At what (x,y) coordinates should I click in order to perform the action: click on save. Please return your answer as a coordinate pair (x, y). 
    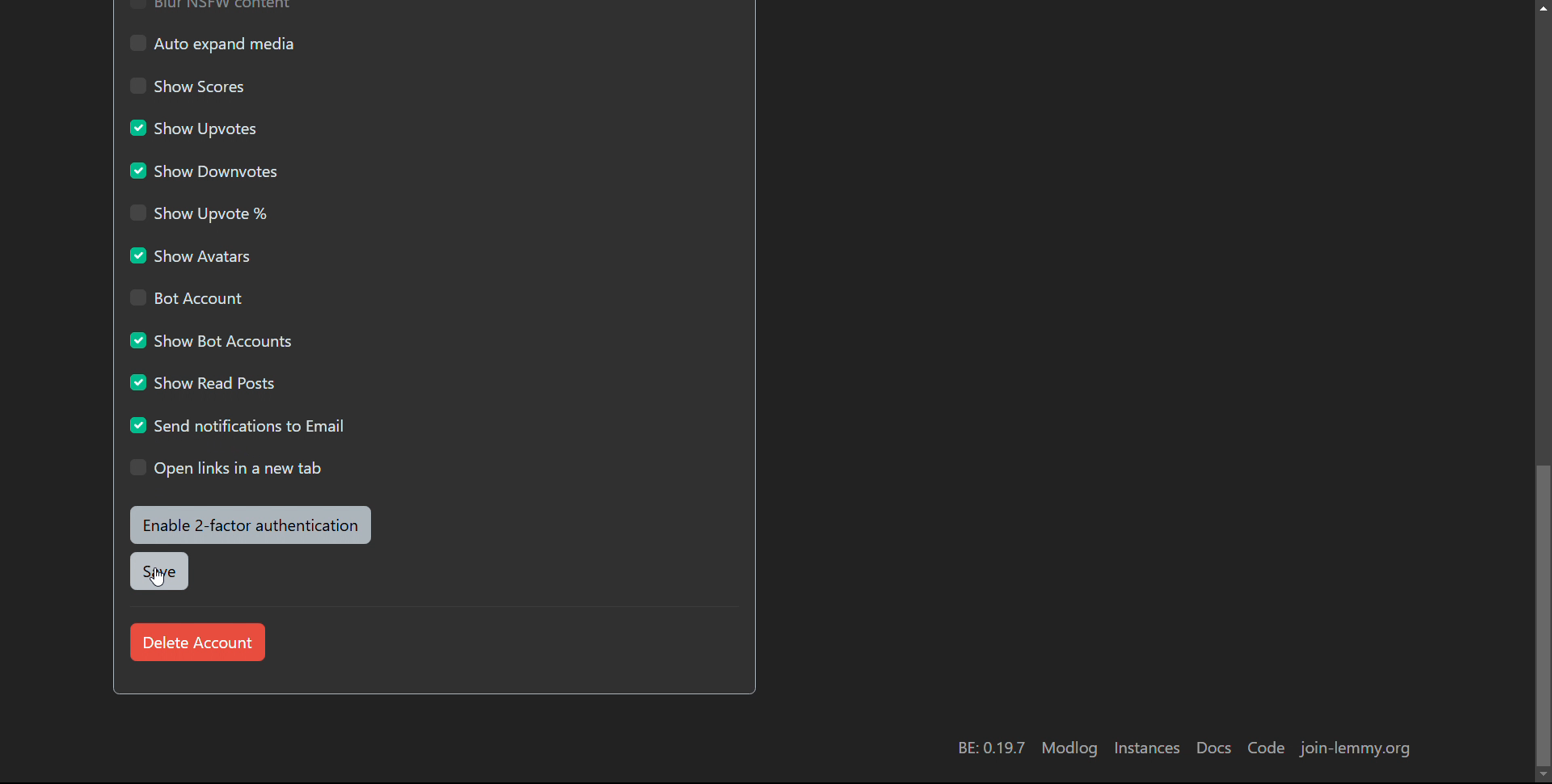
    Looking at the image, I should click on (158, 571).